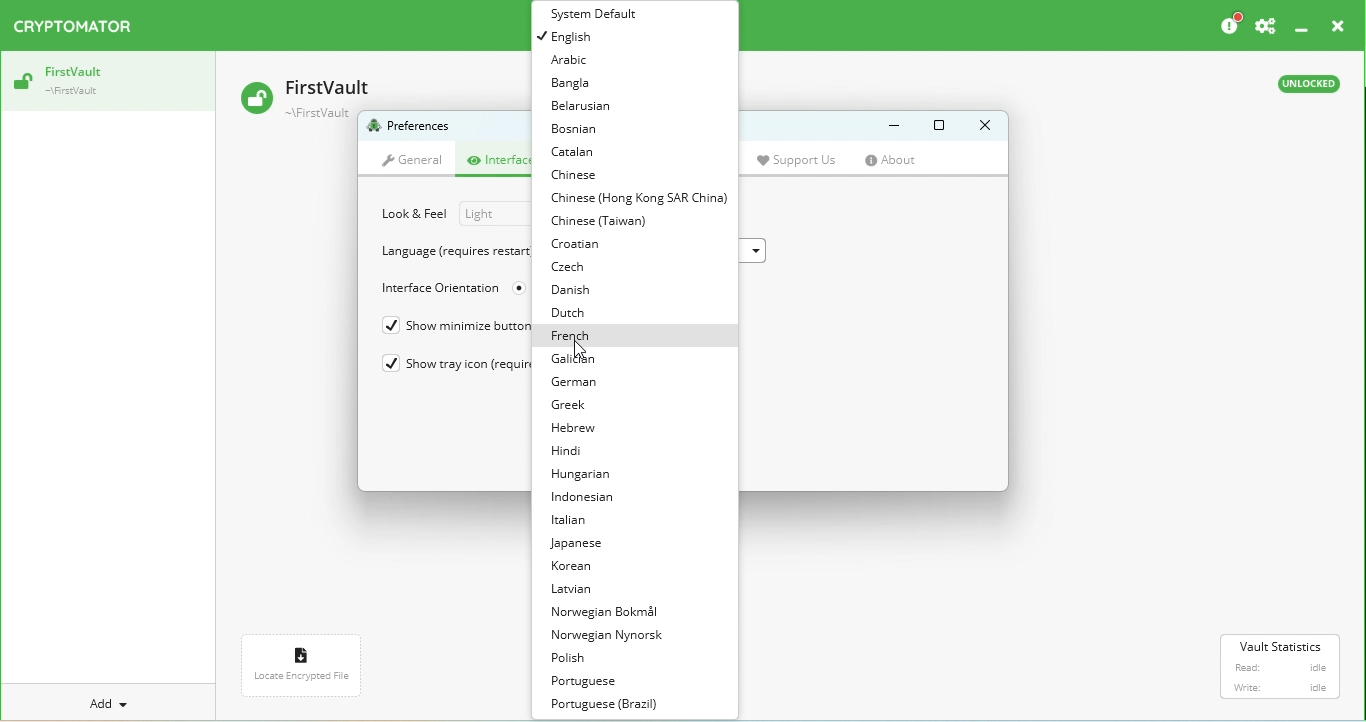  I want to click on Minimize, so click(1303, 27).